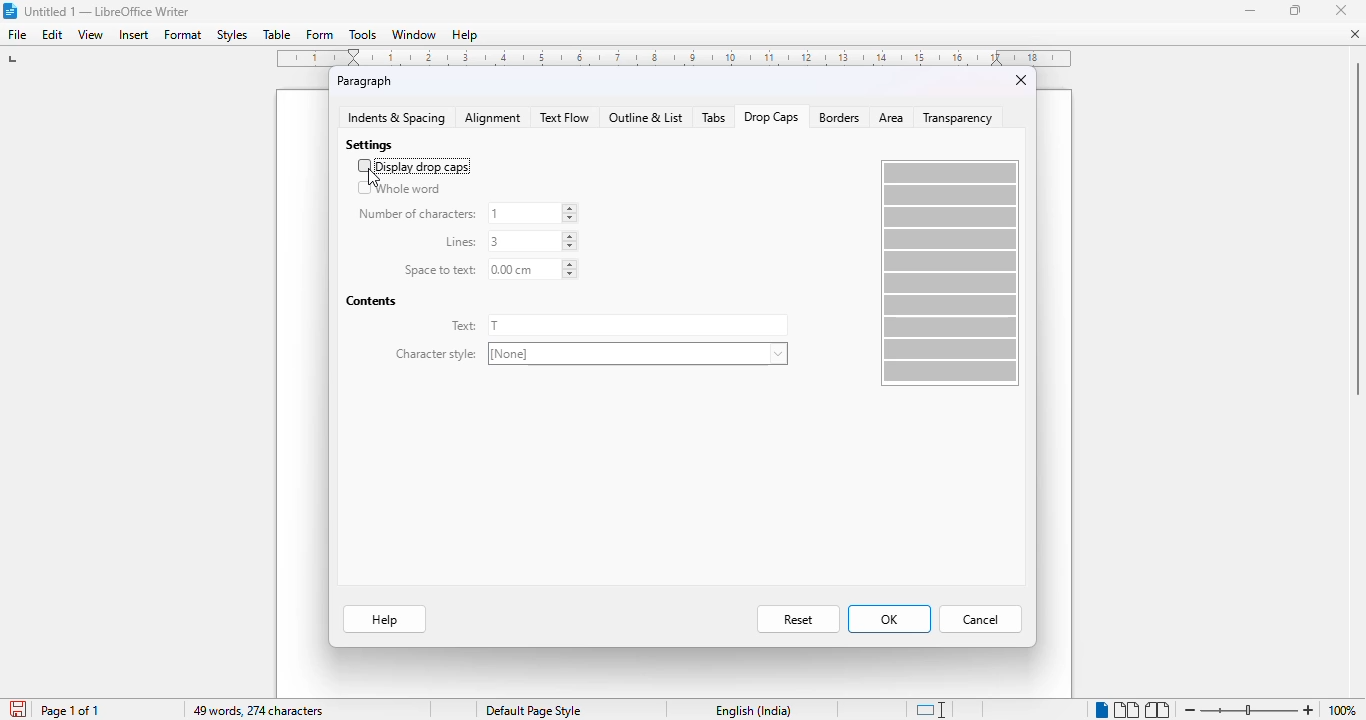  Describe the element at coordinates (981, 619) in the screenshot. I see `cancel` at that location.